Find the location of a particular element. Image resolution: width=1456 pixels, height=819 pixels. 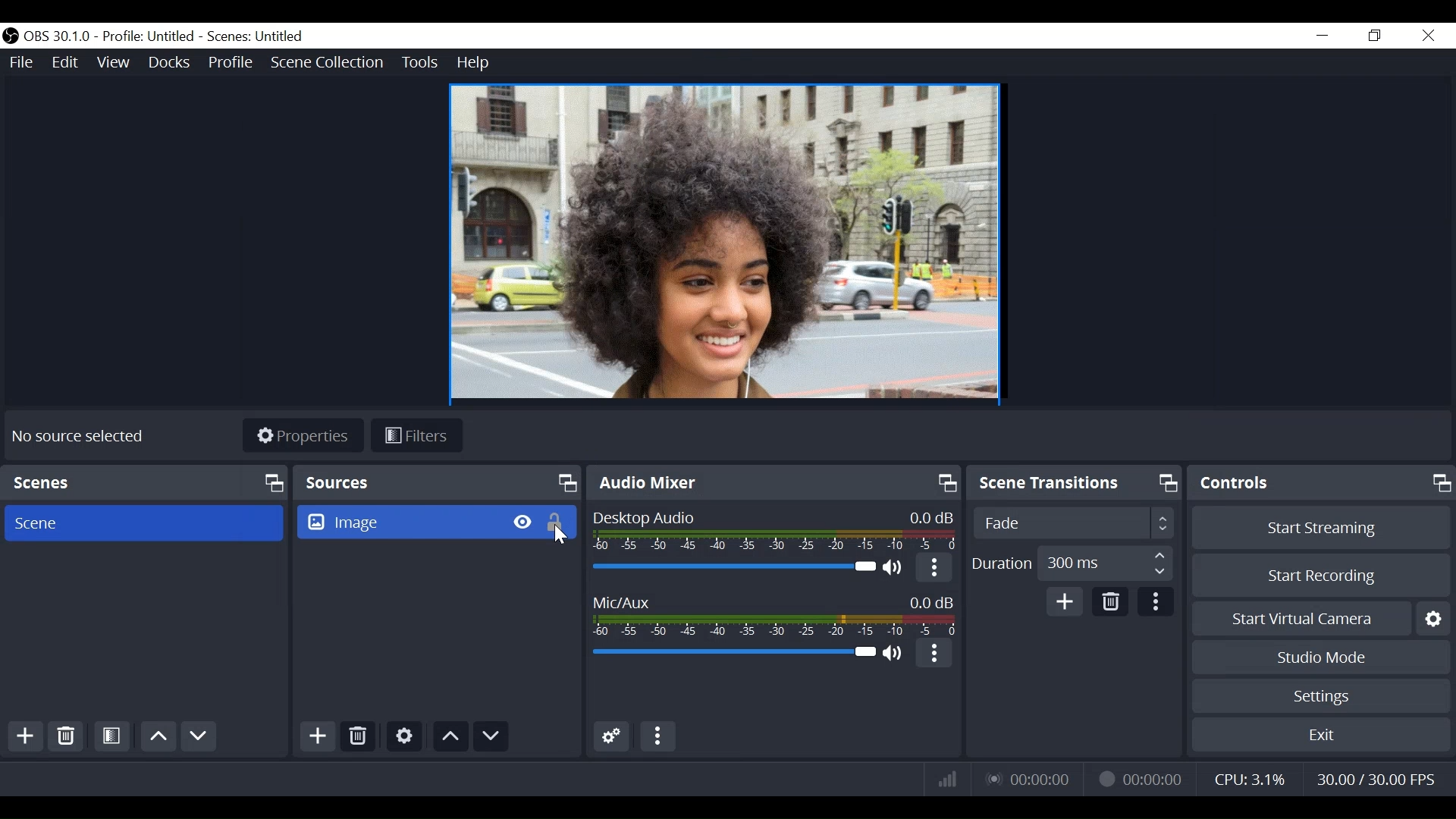

Add is located at coordinates (26, 738).